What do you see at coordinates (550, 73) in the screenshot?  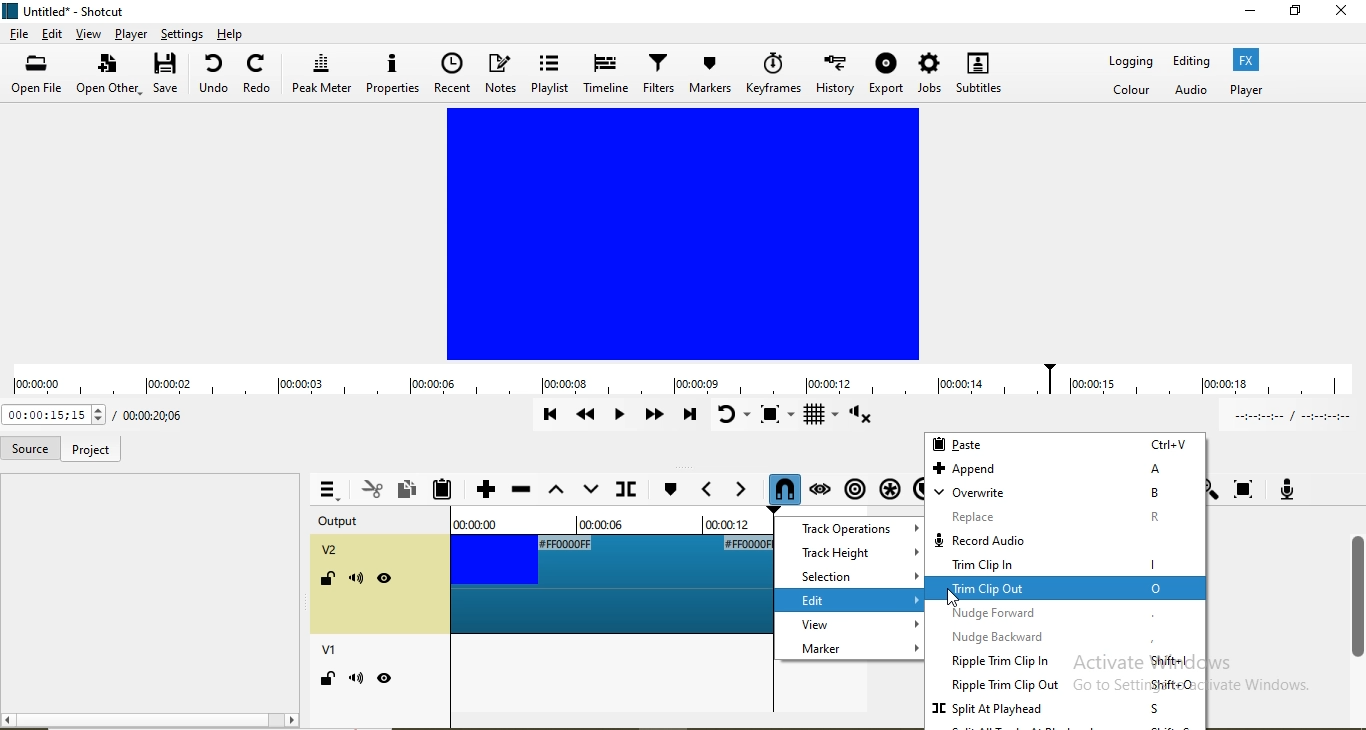 I see `playlist` at bounding box center [550, 73].